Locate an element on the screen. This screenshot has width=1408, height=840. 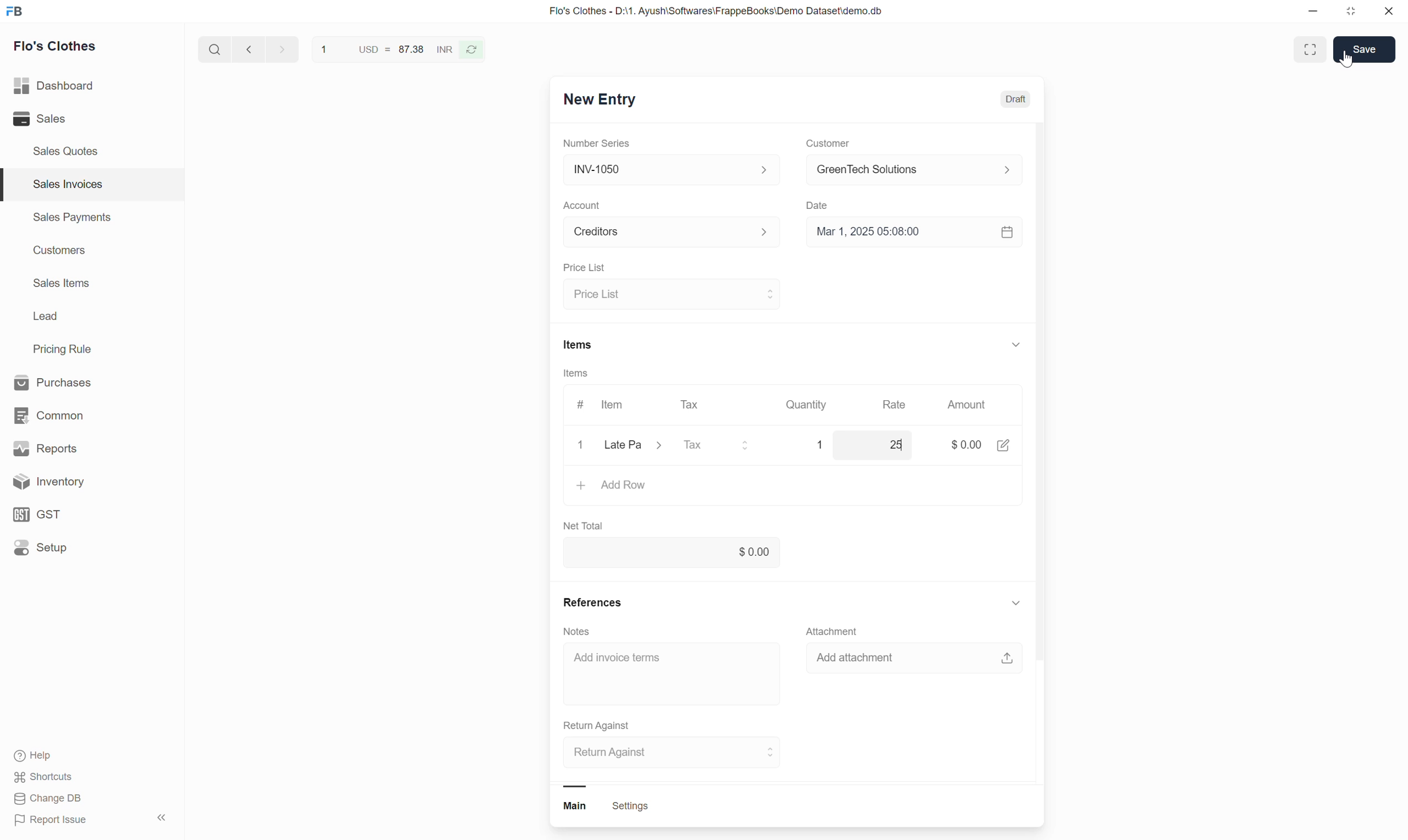
GST  is located at coordinates (79, 513).